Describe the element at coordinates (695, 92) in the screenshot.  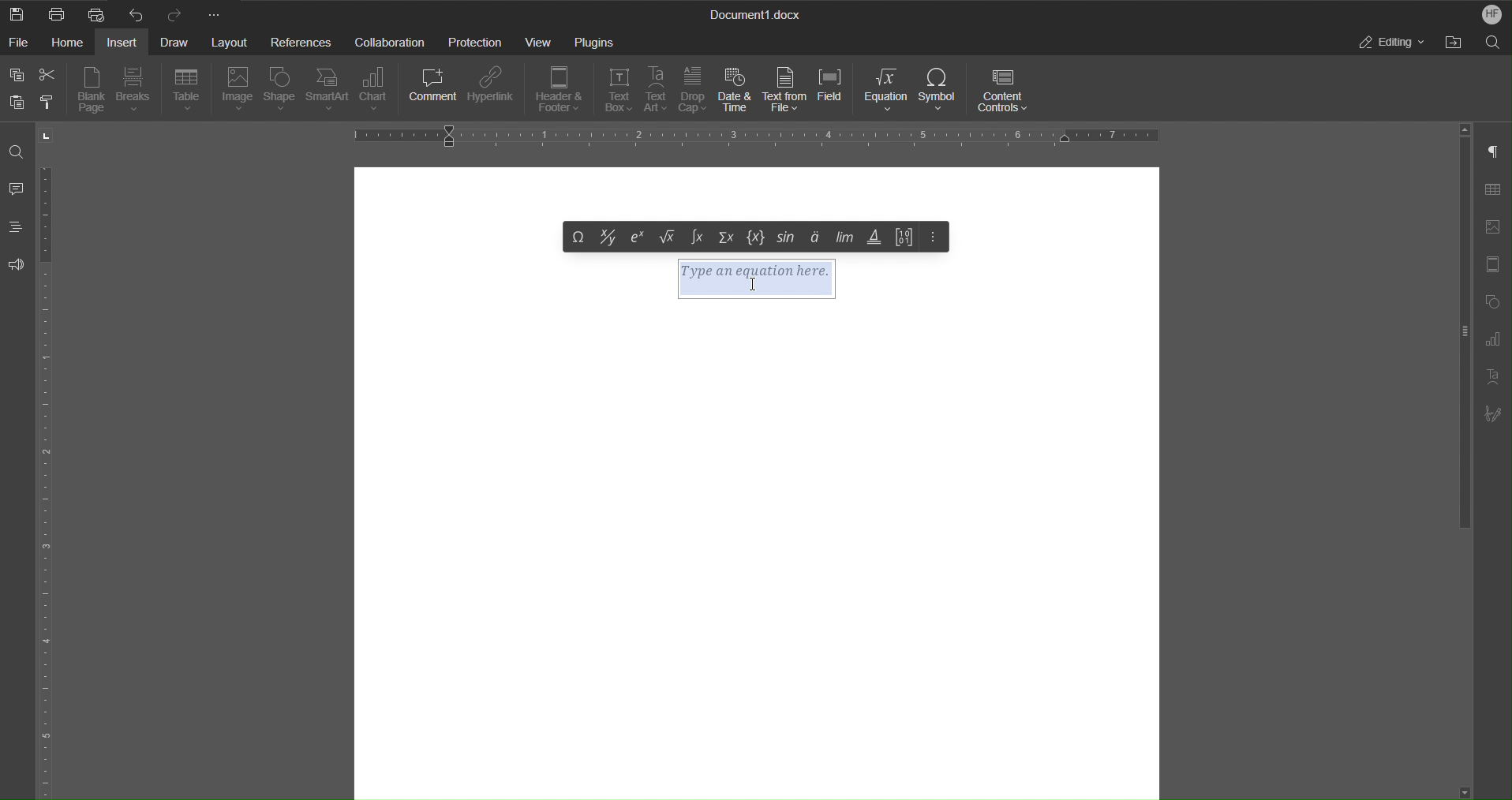
I see `Drop Cap` at that location.